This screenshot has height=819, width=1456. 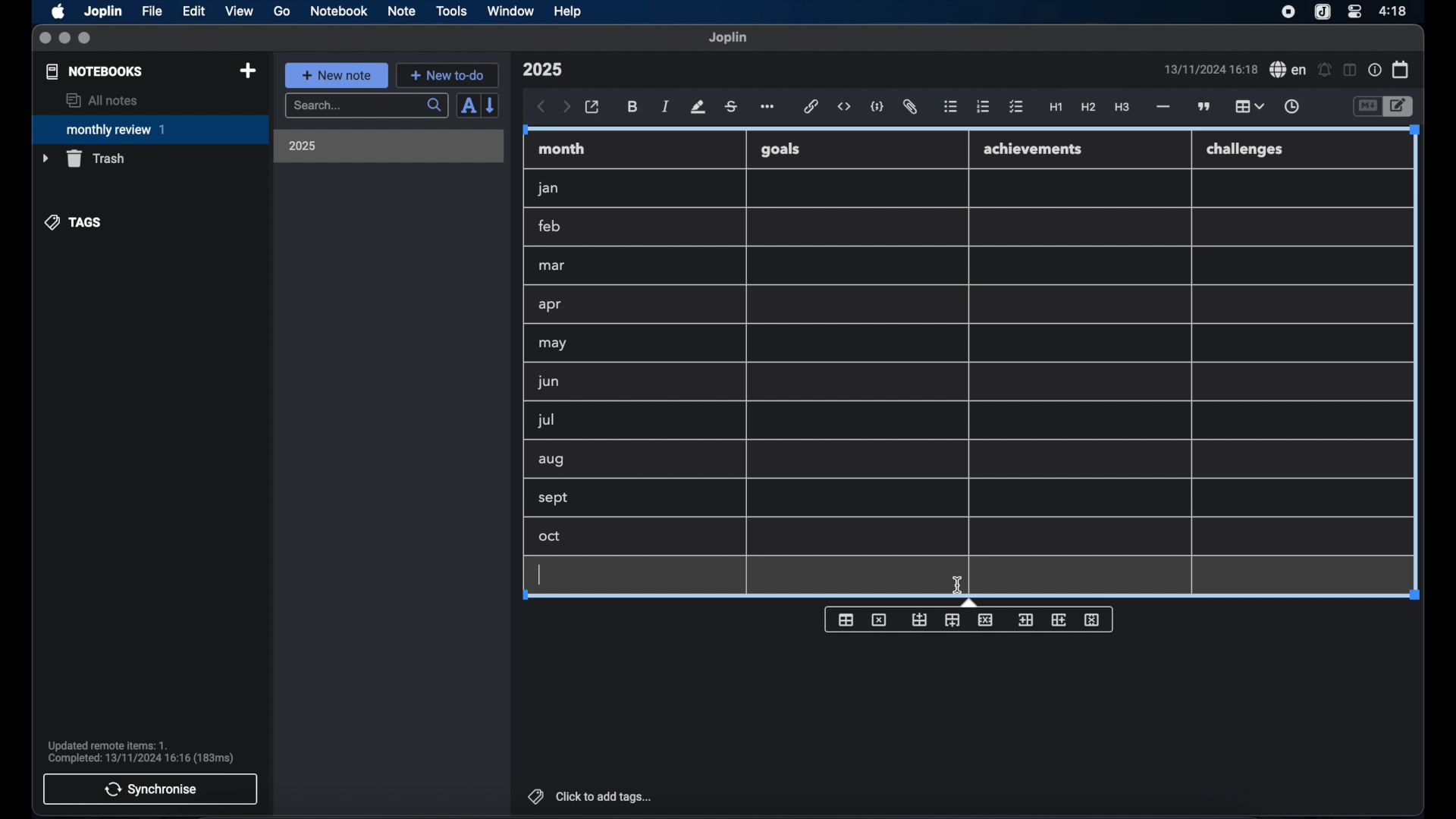 I want to click on forward, so click(x=566, y=108).